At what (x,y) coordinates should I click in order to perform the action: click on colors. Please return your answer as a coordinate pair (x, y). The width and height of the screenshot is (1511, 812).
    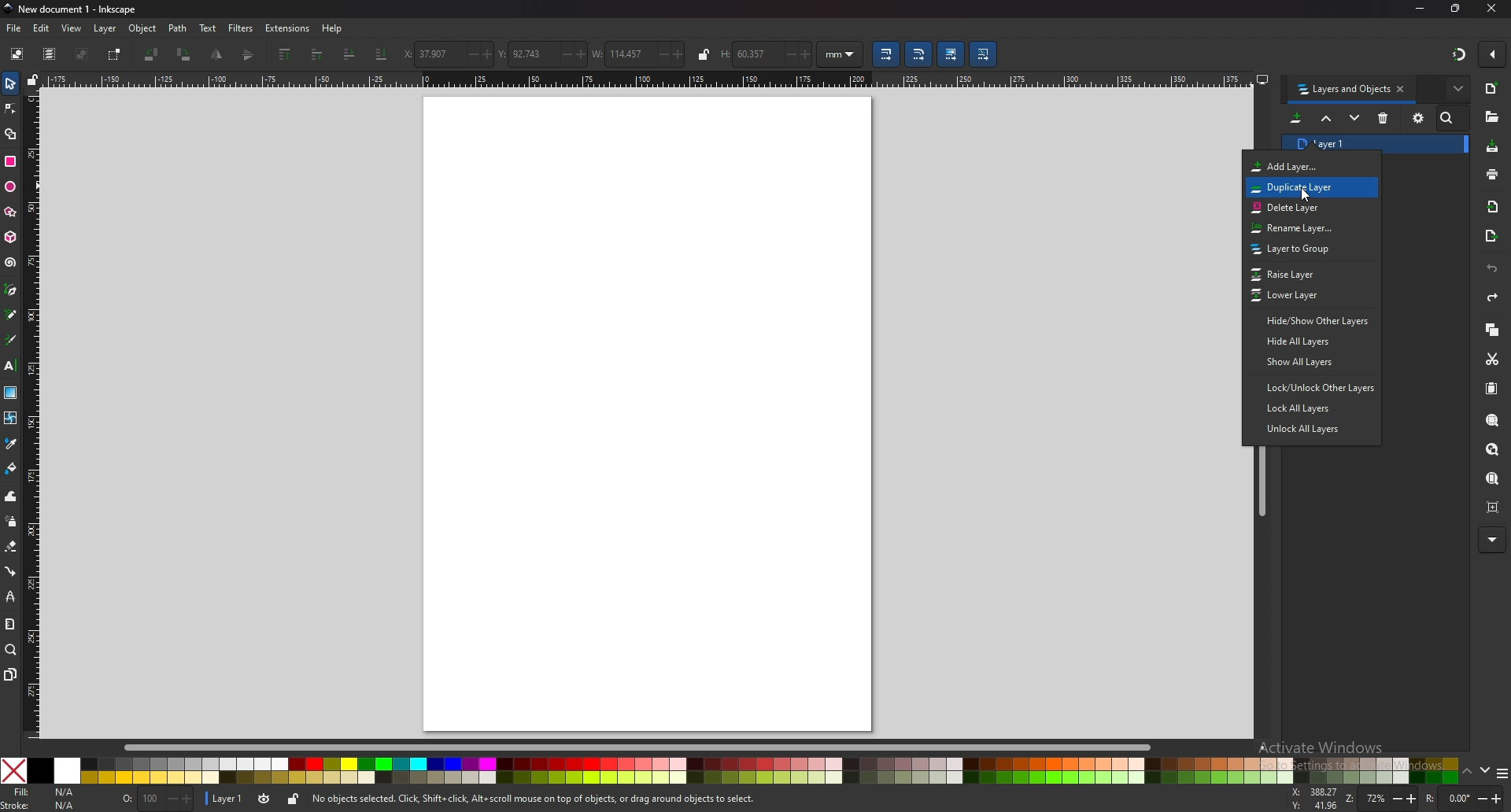
    Looking at the image, I should click on (770, 771).